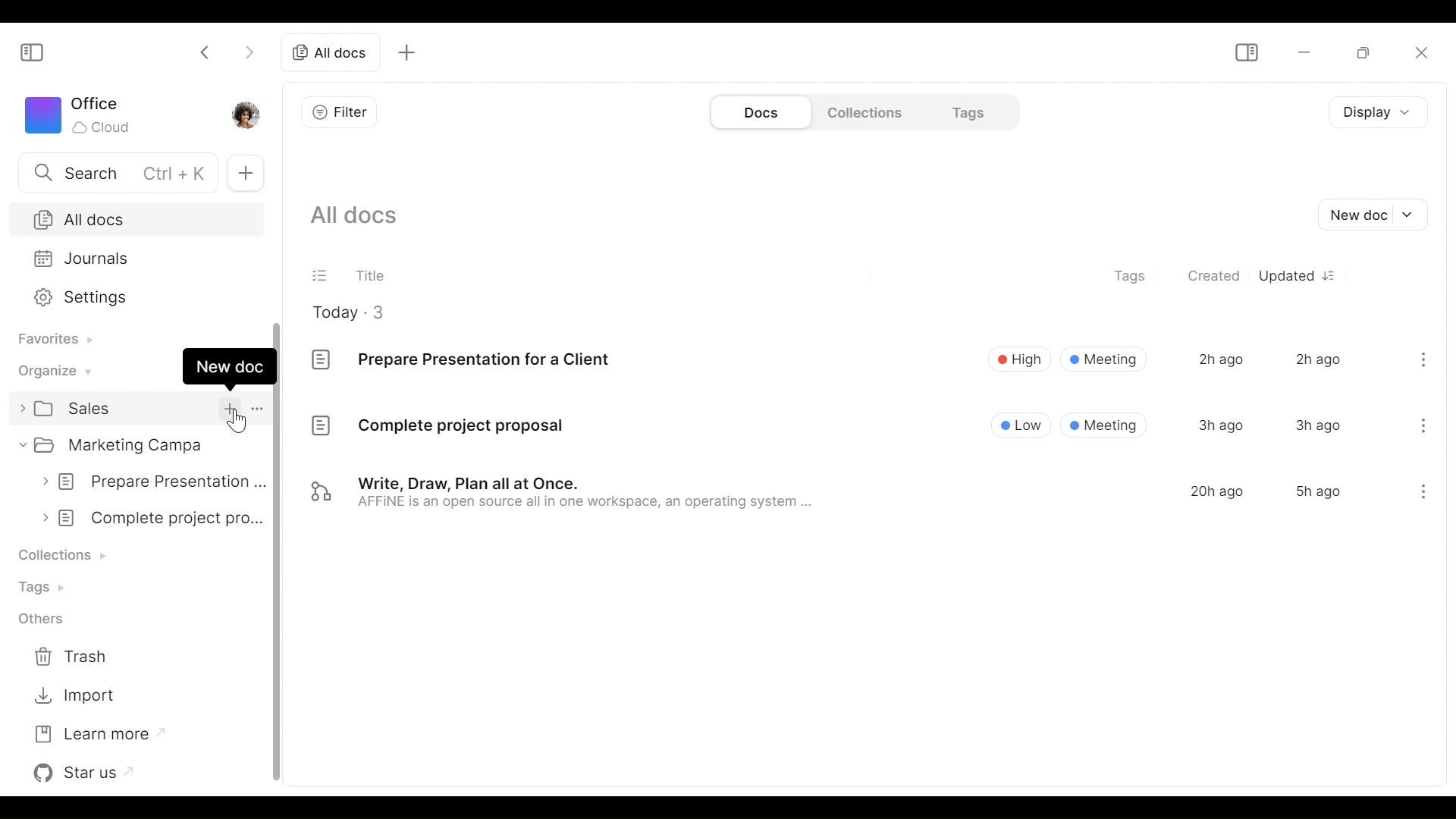 This screenshot has height=819, width=1456. I want to click on cursor pointer, so click(234, 420).